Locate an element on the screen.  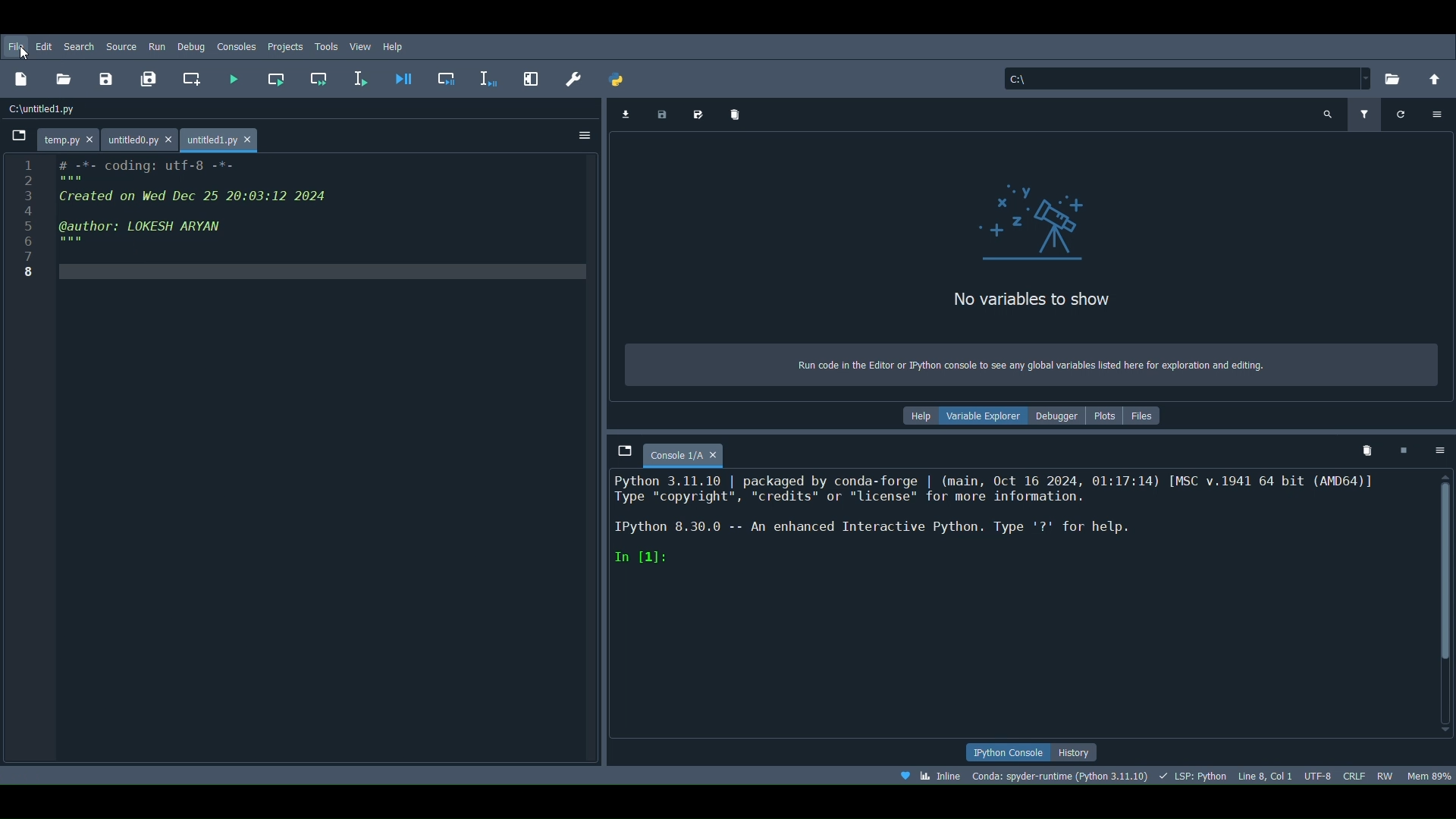
C:\untitled1.py is located at coordinates (45, 108).